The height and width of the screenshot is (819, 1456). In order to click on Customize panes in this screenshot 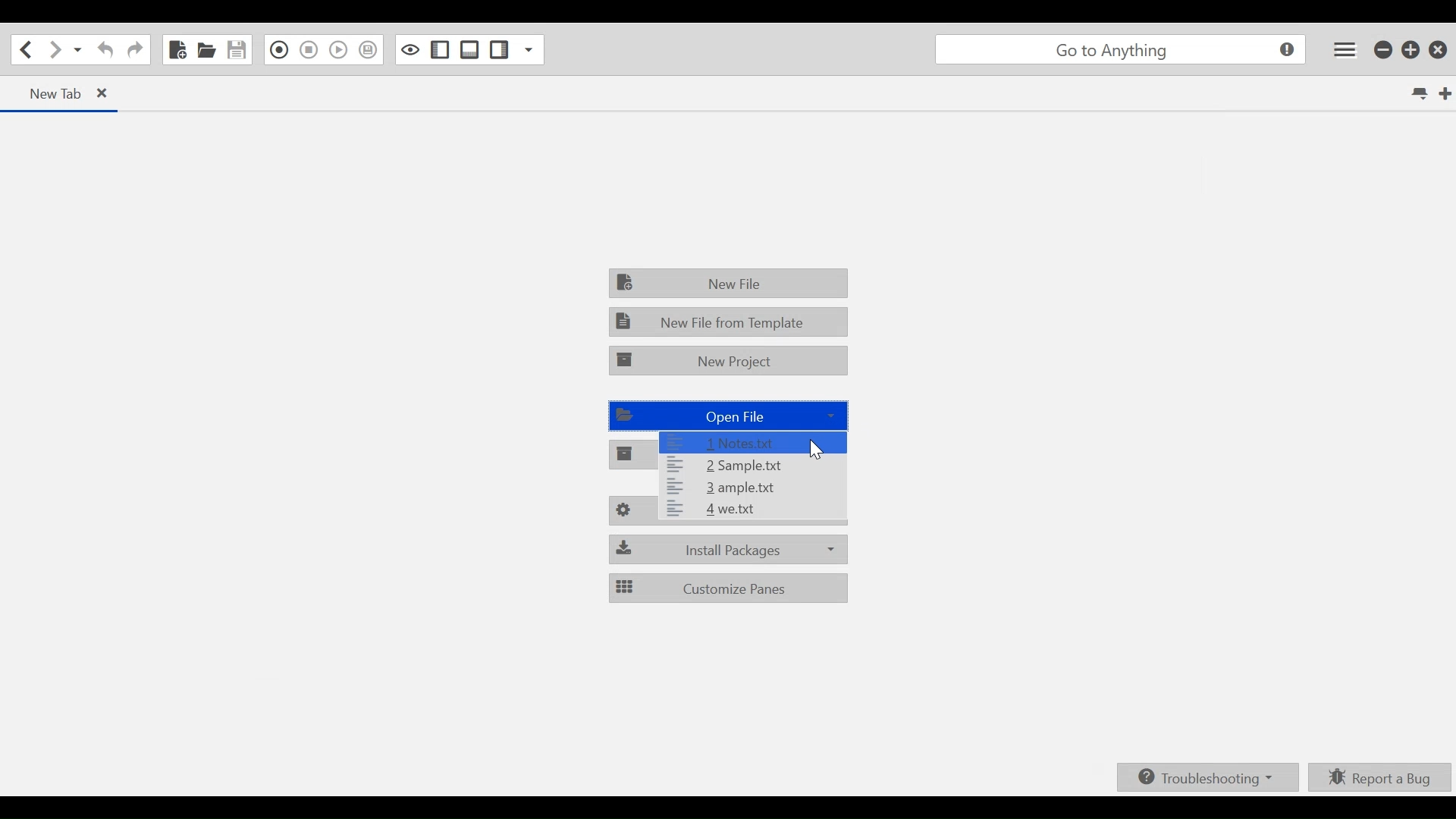, I will do `click(729, 588)`.